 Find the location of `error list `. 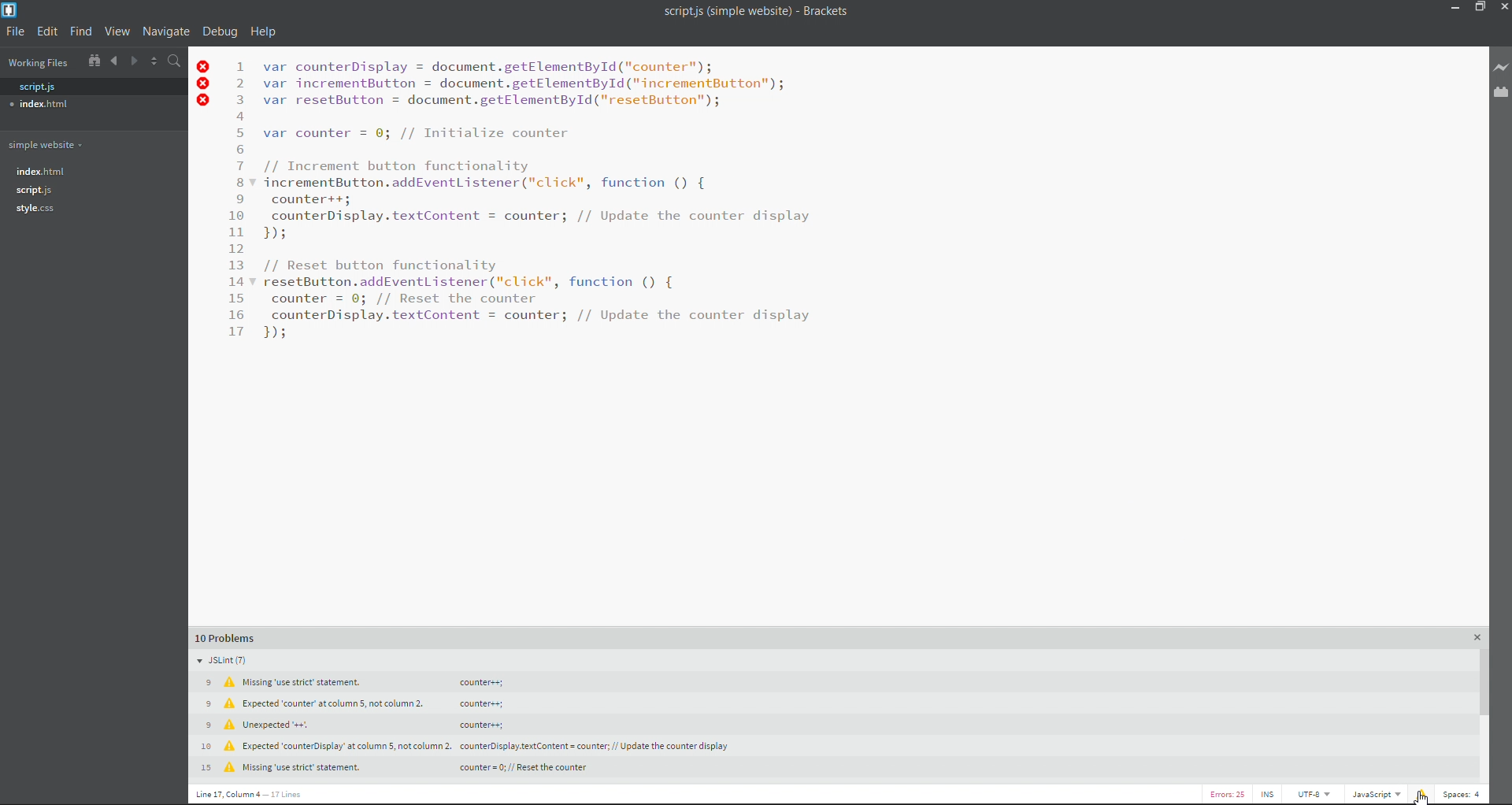

error list  is located at coordinates (1421, 792).